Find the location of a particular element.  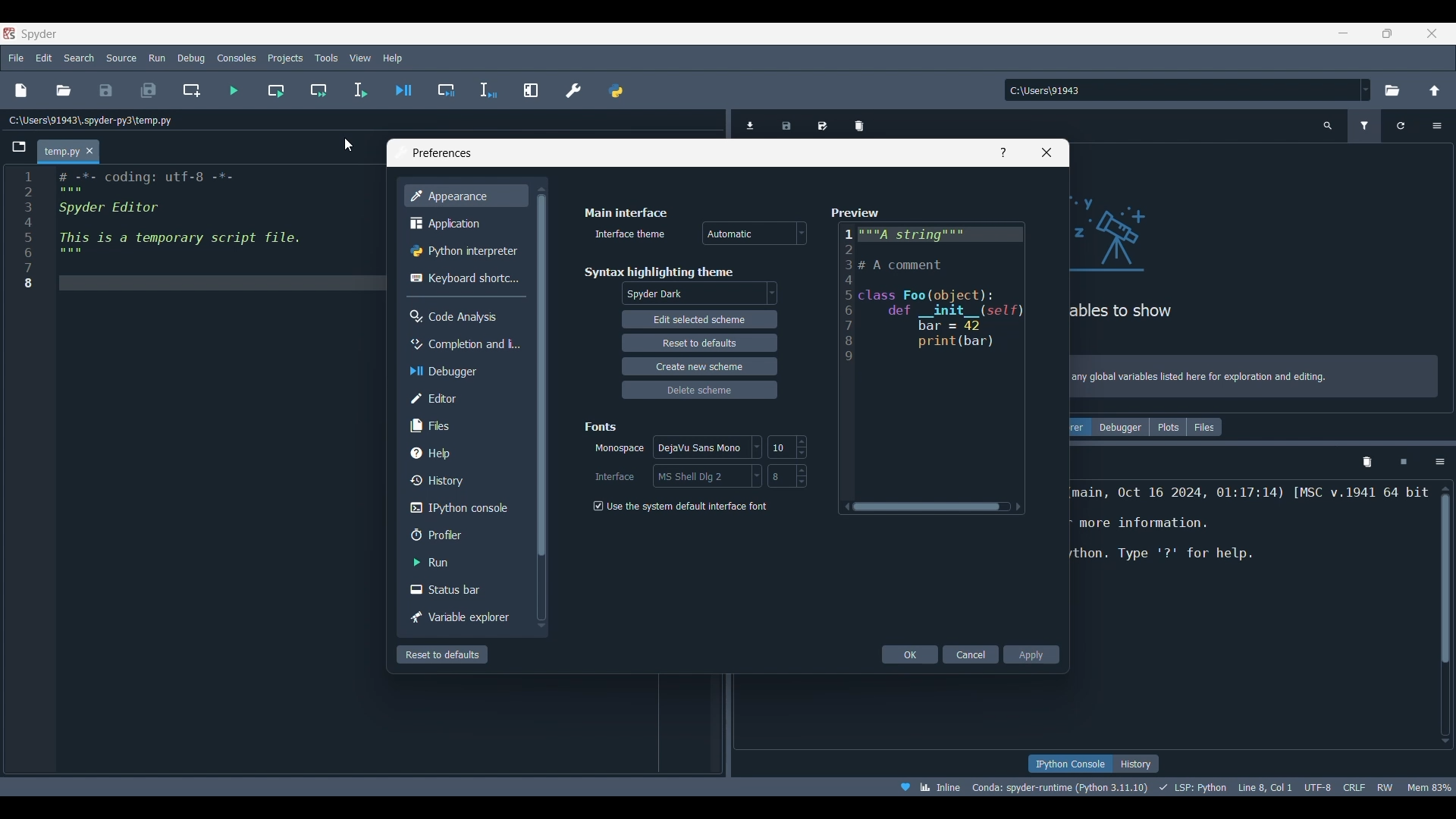

move right is located at coordinates (1024, 504).